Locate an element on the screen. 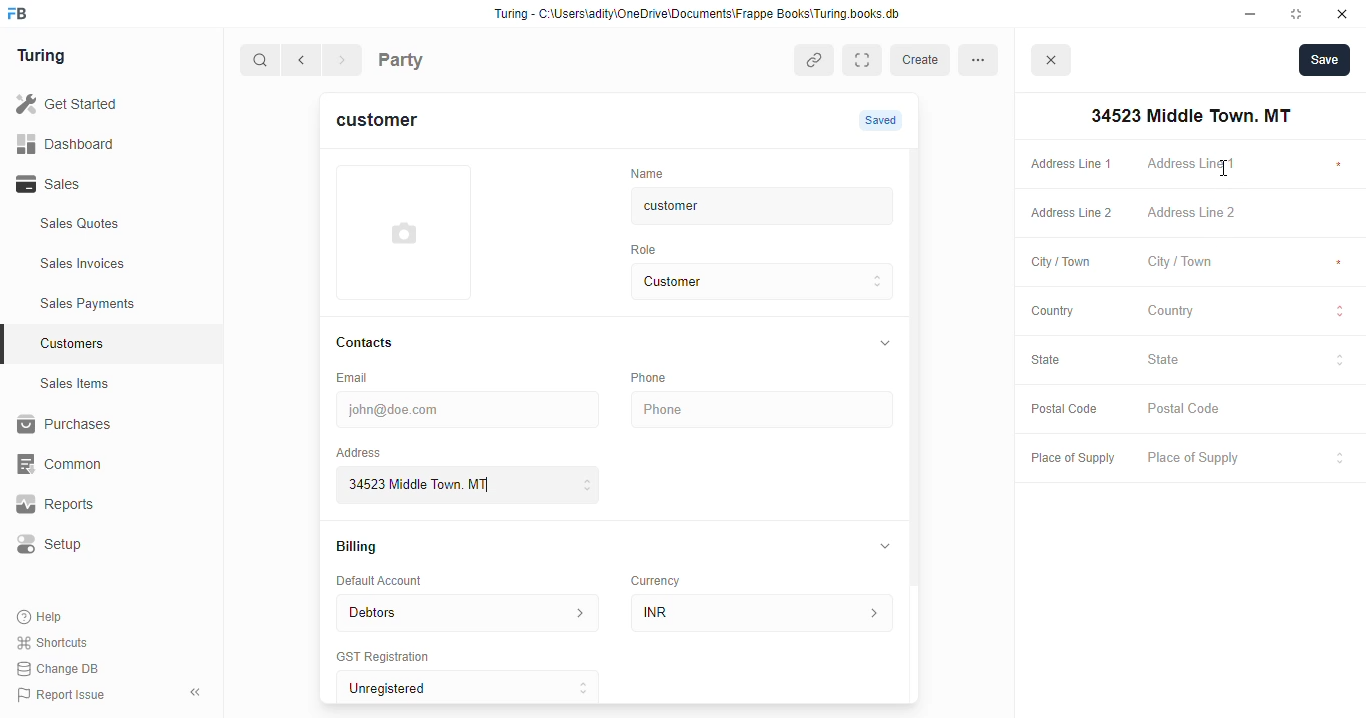  Address Line 2 is located at coordinates (1248, 214).